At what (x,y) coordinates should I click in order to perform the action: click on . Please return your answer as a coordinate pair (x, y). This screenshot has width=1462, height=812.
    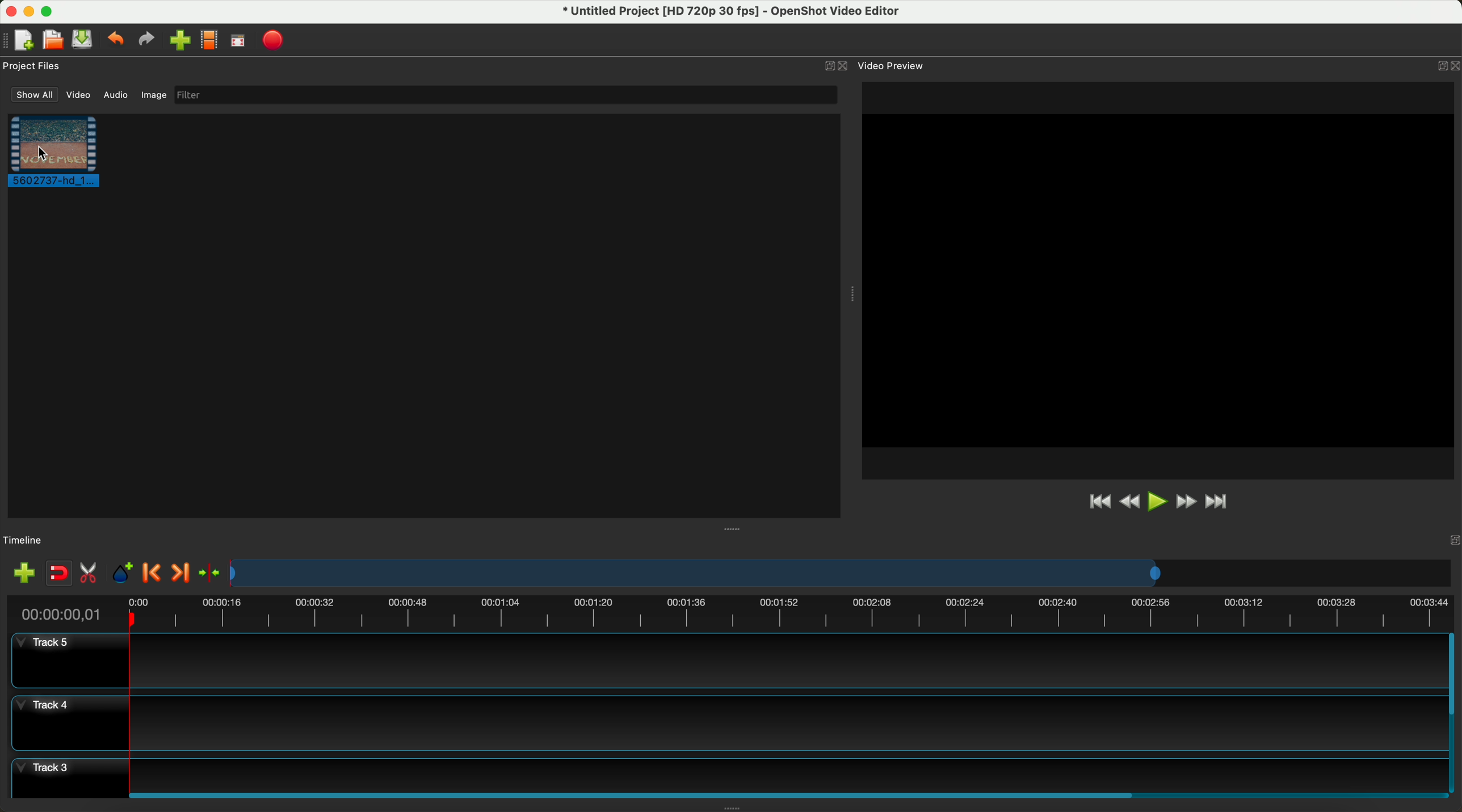
    Looking at the image, I should click on (734, 528).